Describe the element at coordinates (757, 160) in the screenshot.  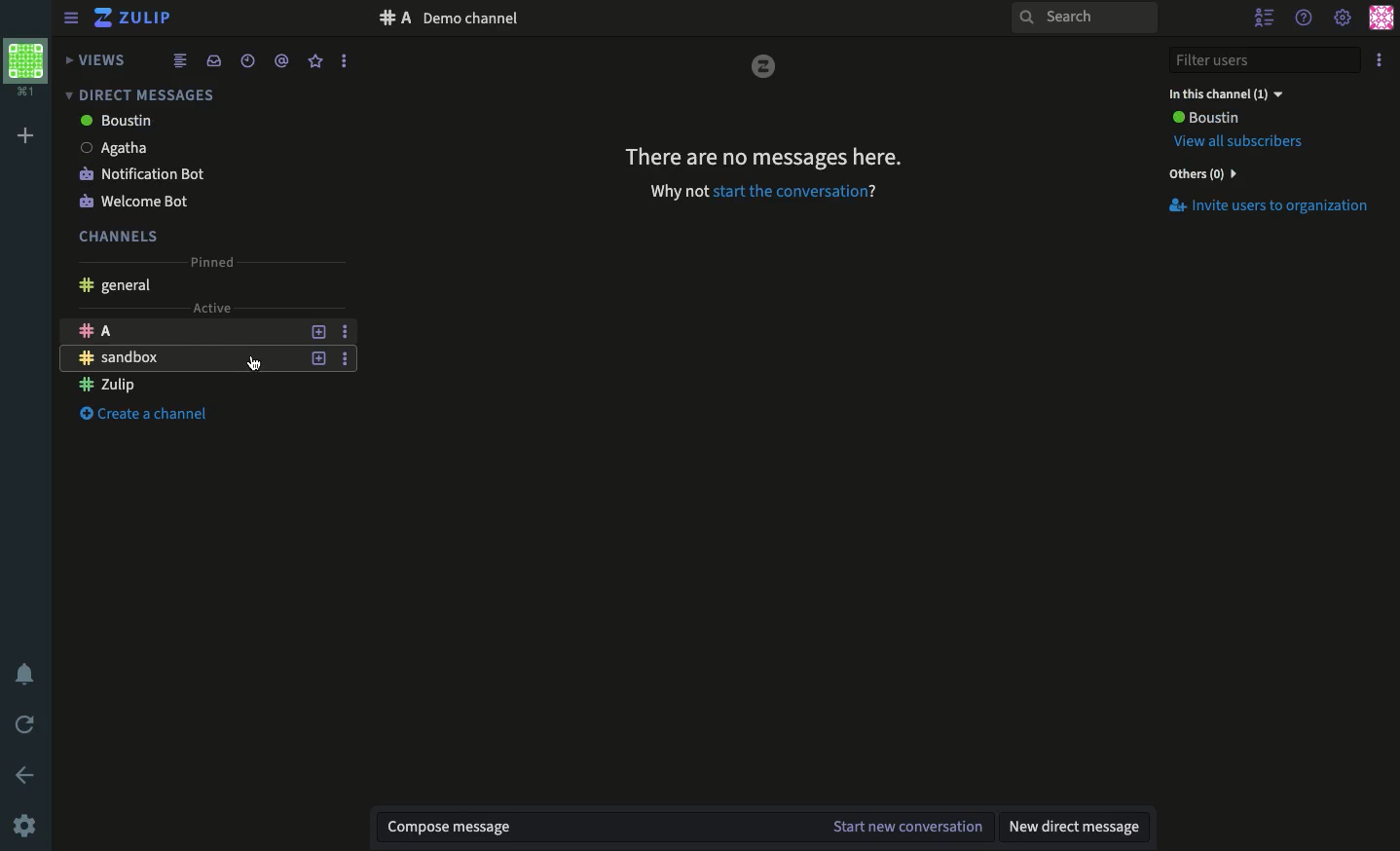
I see `There are no messages here` at that location.